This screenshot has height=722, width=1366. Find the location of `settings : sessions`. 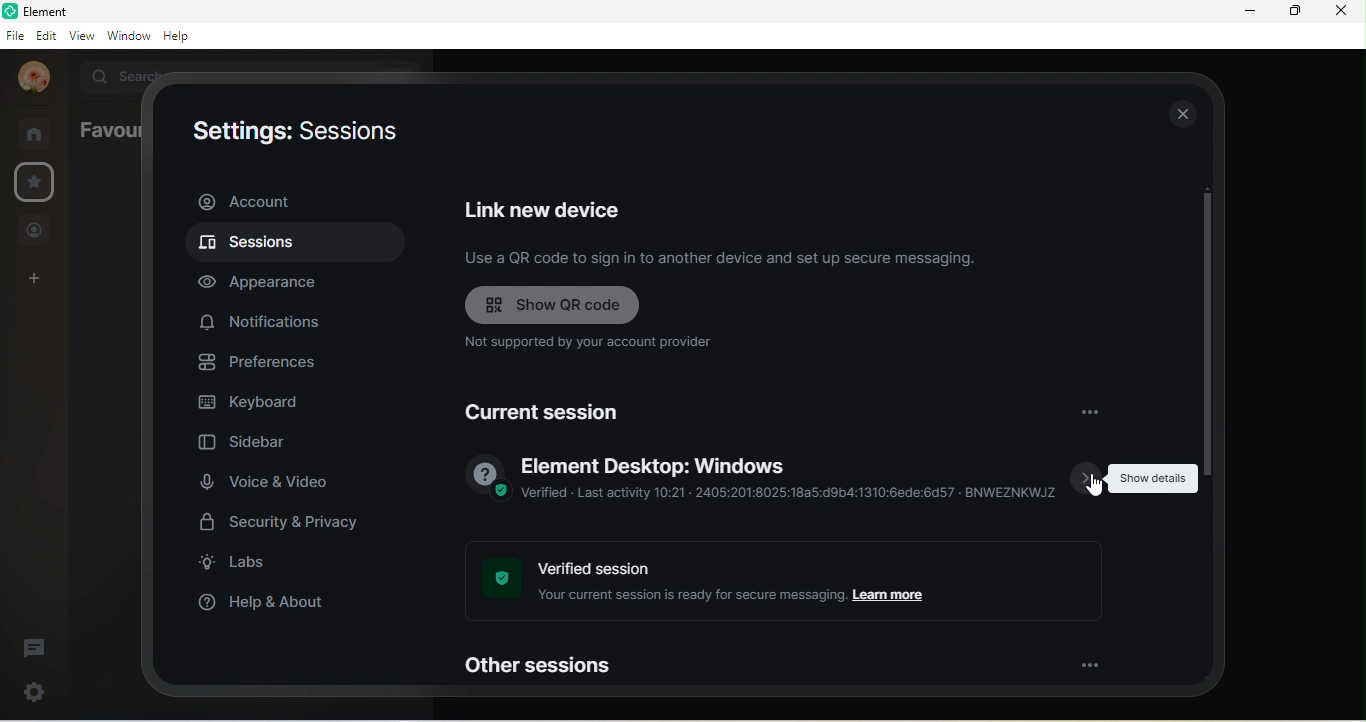

settings : sessions is located at coordinates (292, 134).